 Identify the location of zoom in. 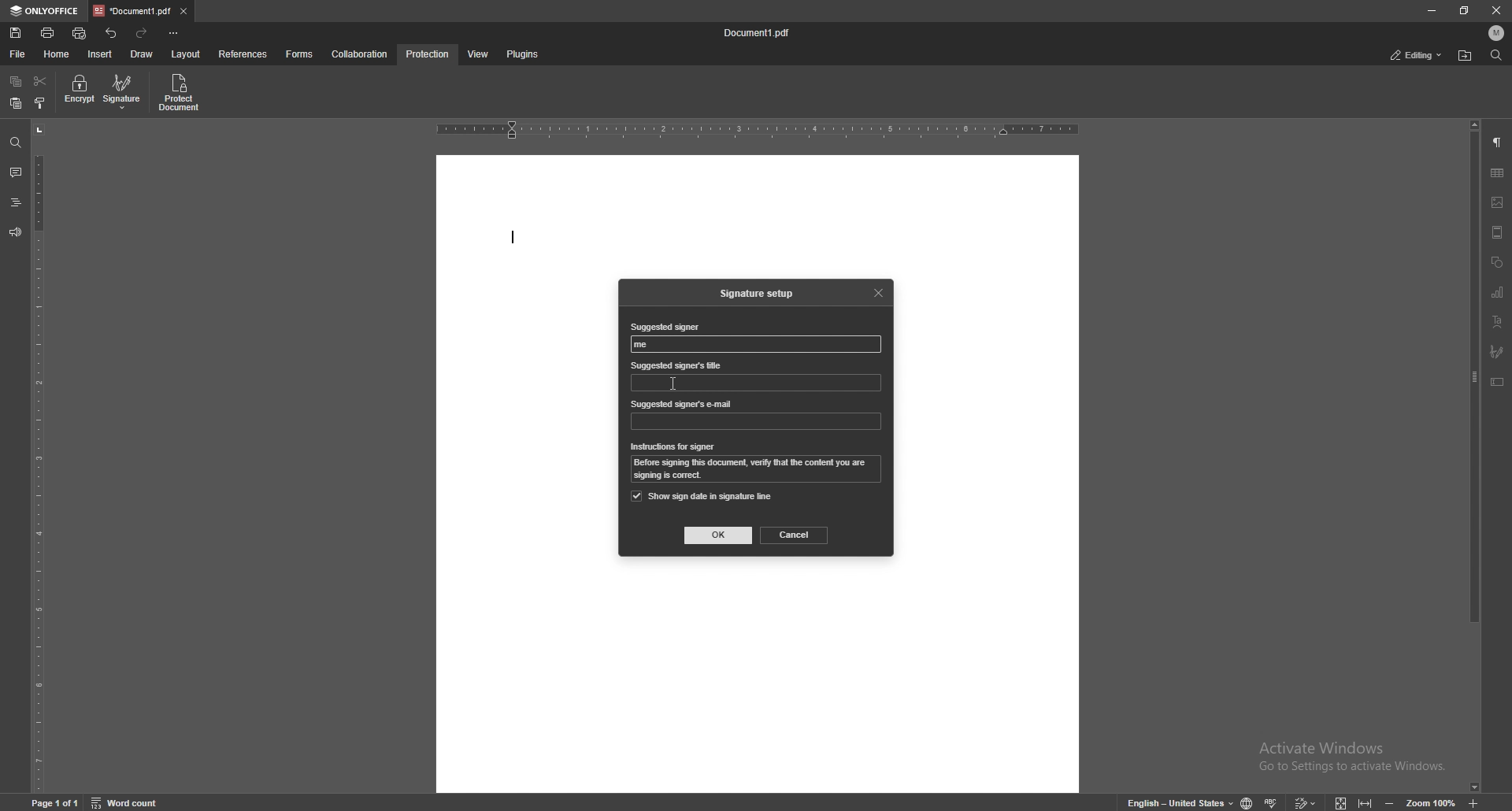
(1487, 803).